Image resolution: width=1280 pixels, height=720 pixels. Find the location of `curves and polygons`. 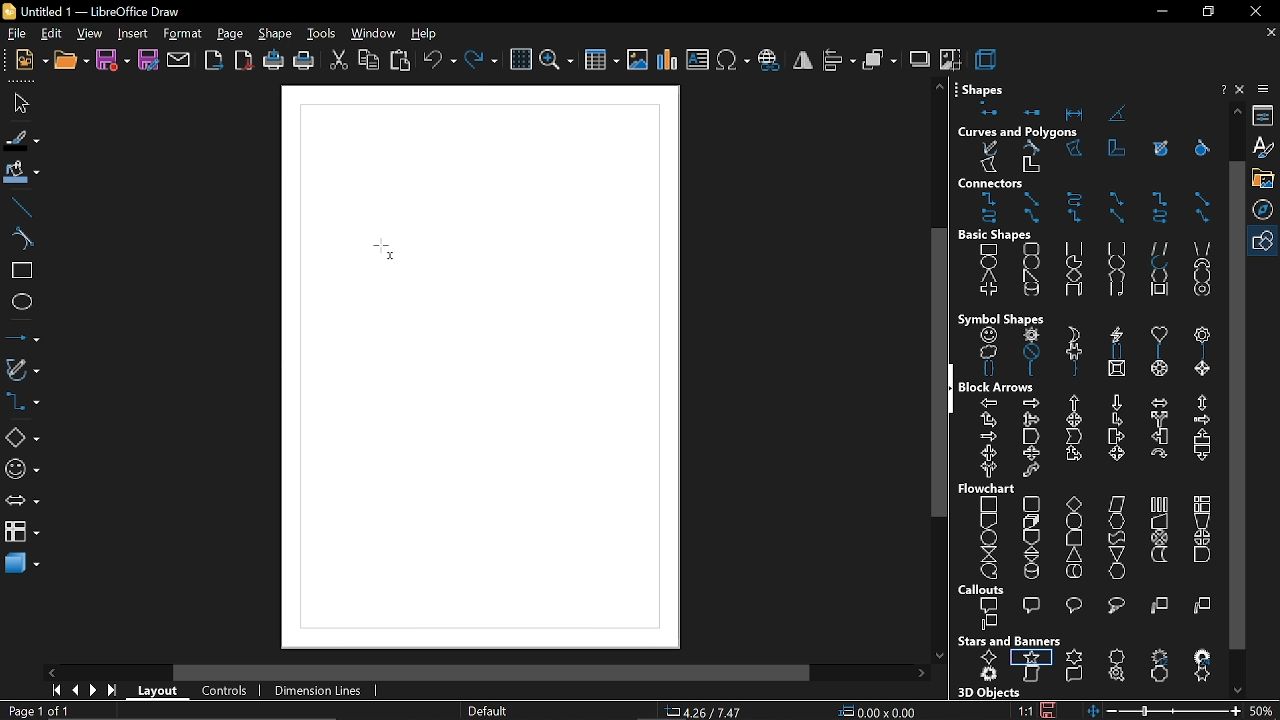

curves and polygons is located at coordinates (1085, 156).